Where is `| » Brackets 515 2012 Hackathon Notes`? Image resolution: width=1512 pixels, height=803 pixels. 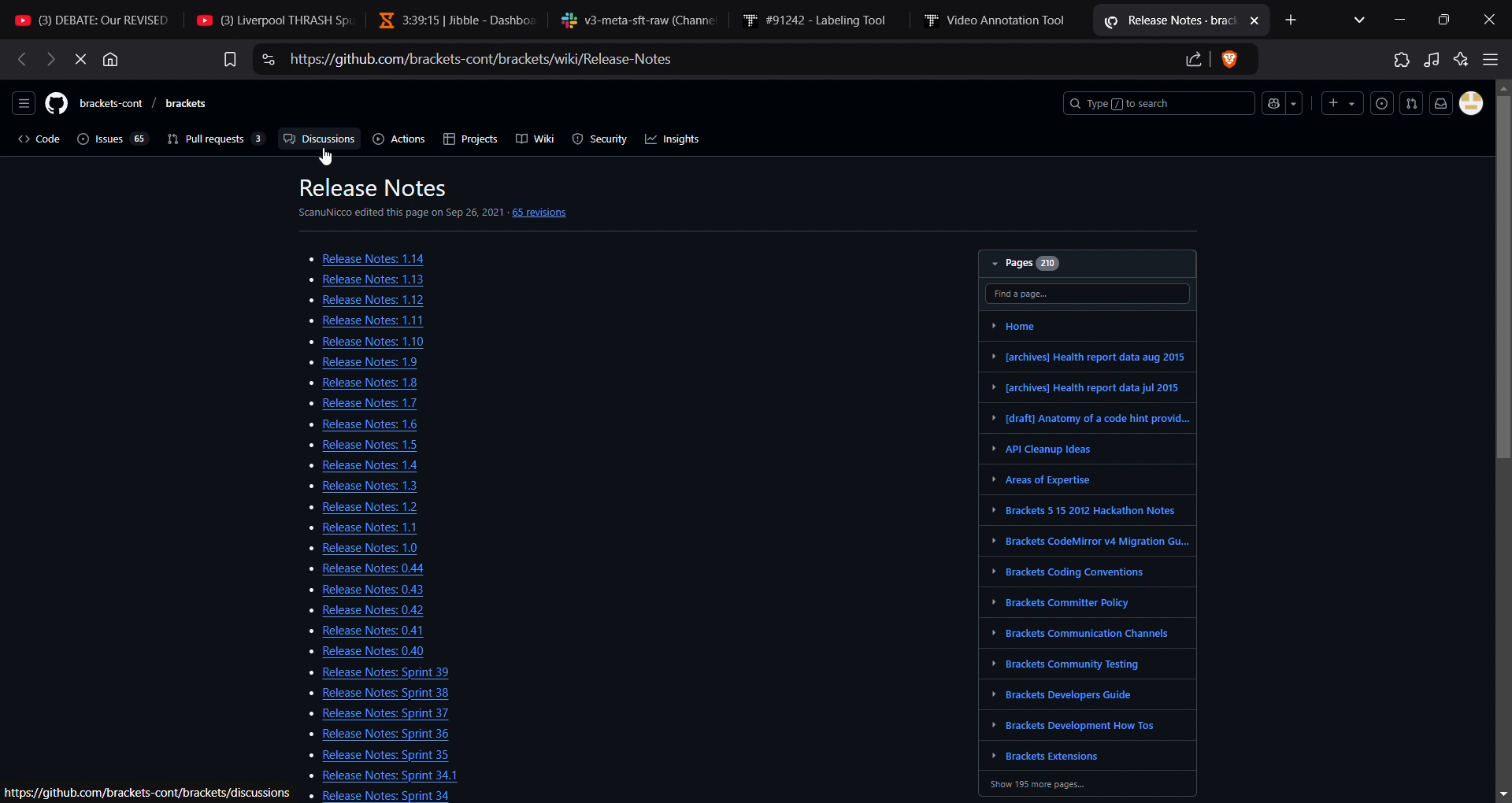 | » Brackets 515 2012 Hackathon Notes is located at coordinates (1073, 509).